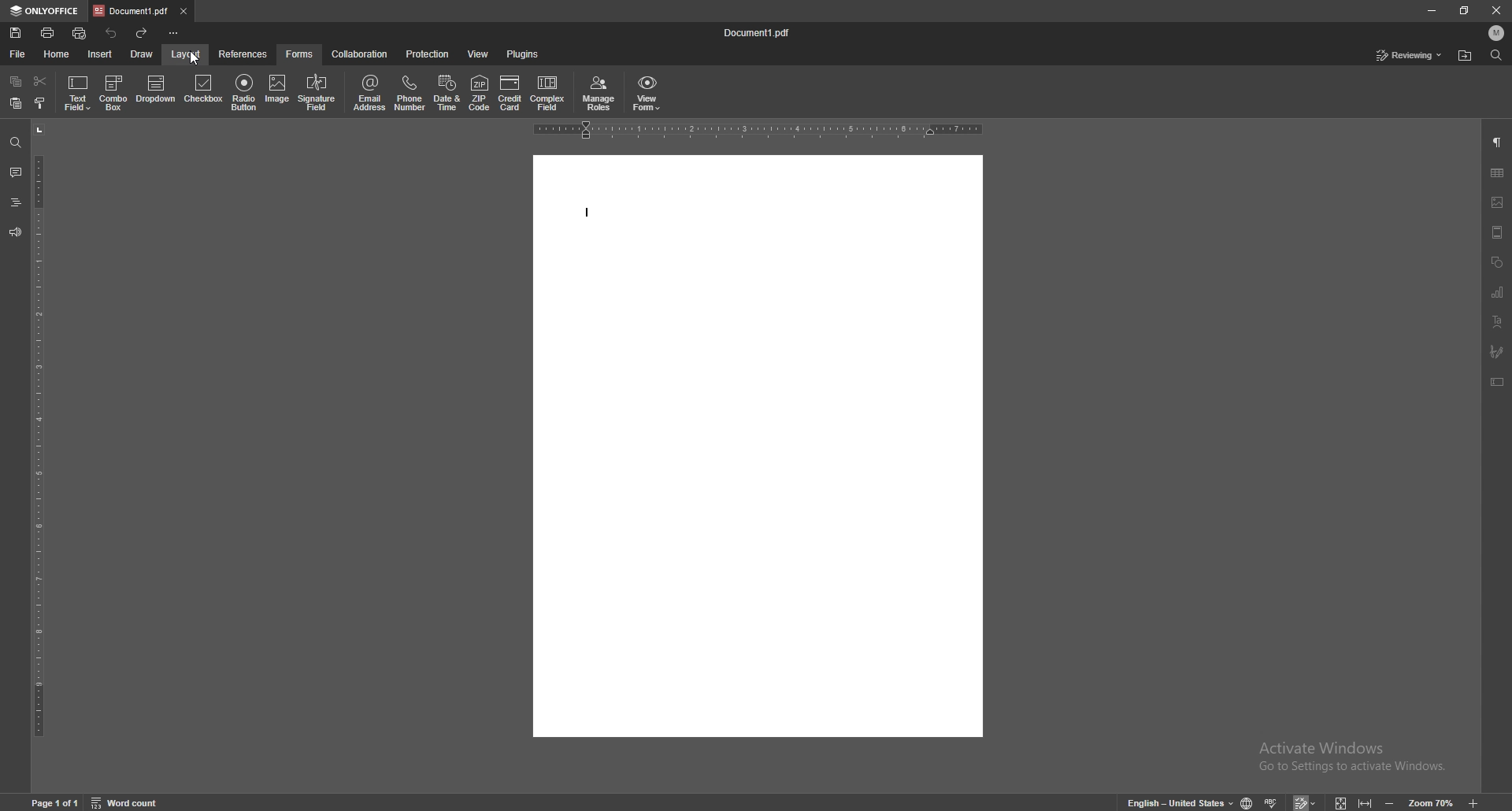 The height and width of the screenshot is (811, 1512). What do you see at coordinates (204, 91) in the screenshot?
I see `checkbox` at bounding box center [204, 91].